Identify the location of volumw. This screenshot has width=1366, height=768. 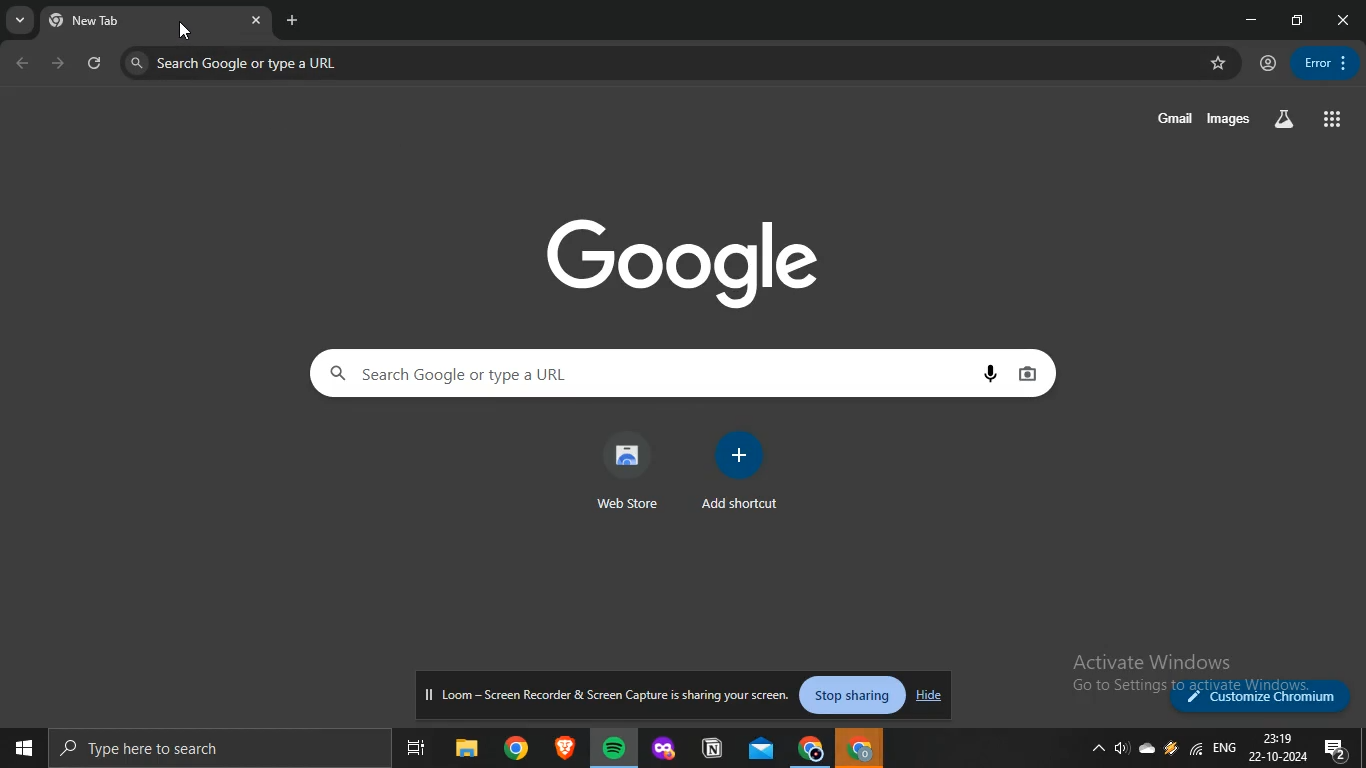
(1122, 748).